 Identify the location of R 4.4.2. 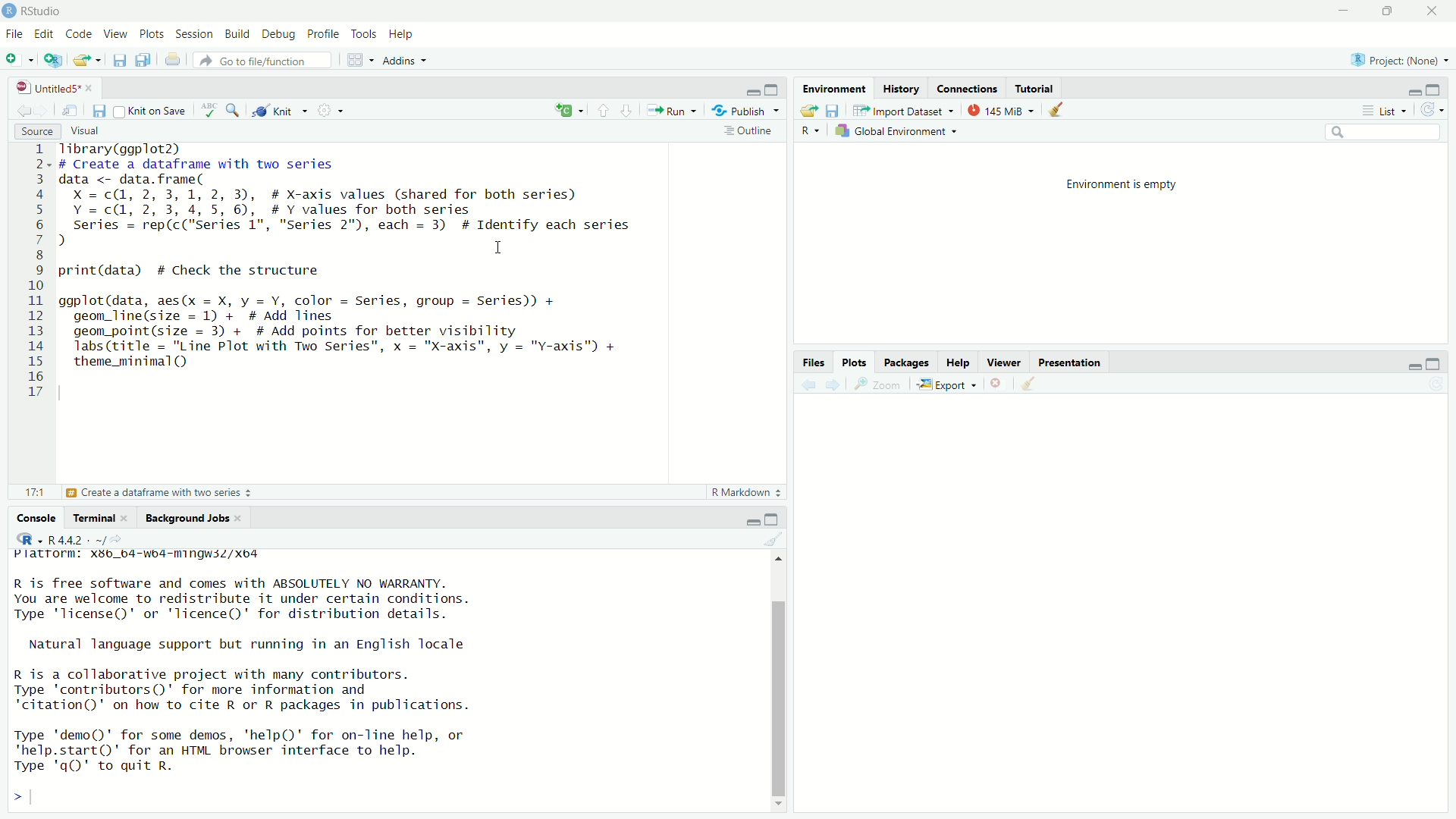
(73, 539).